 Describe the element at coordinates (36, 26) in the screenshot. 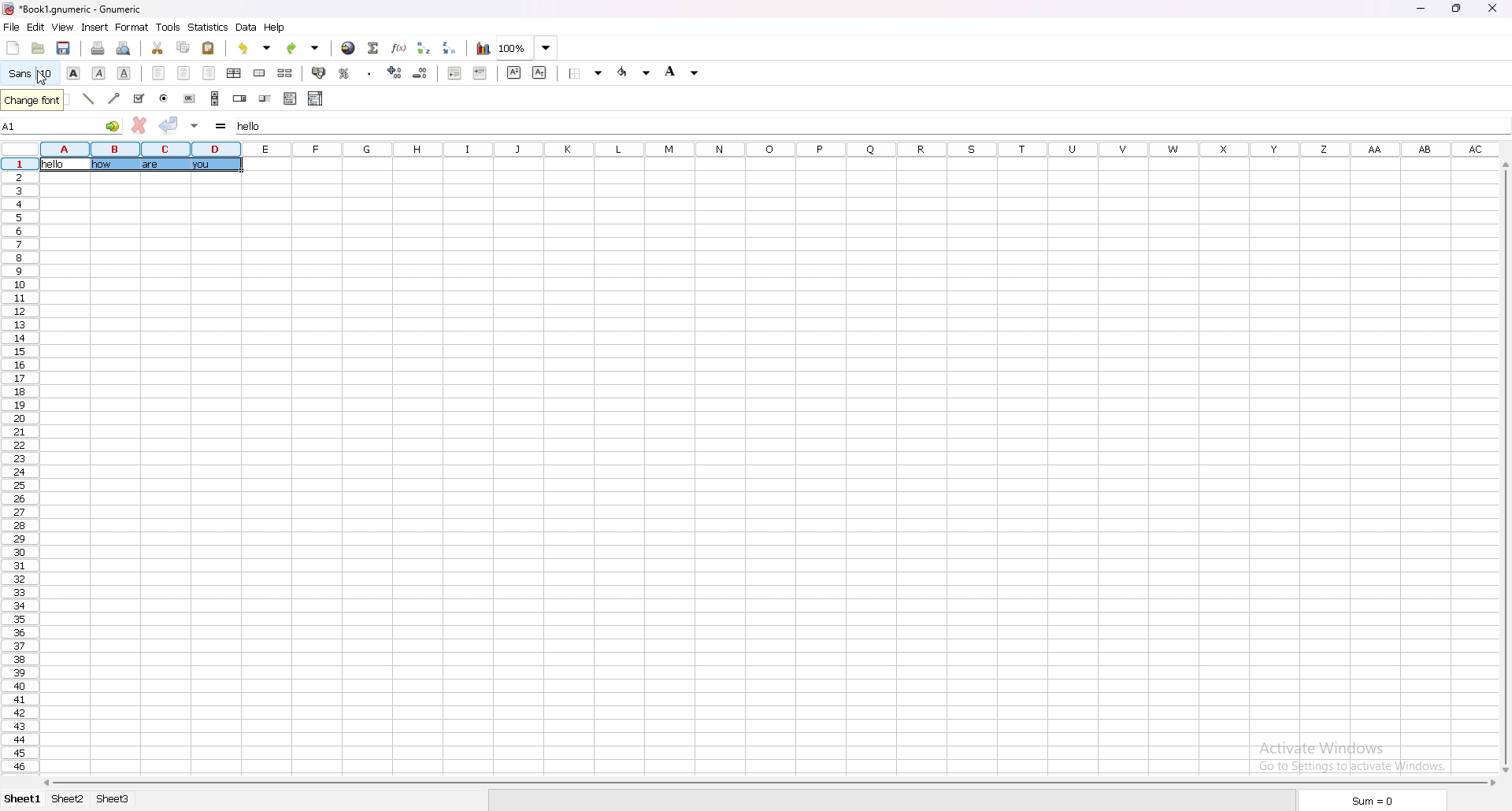

I see `edit` at that location.